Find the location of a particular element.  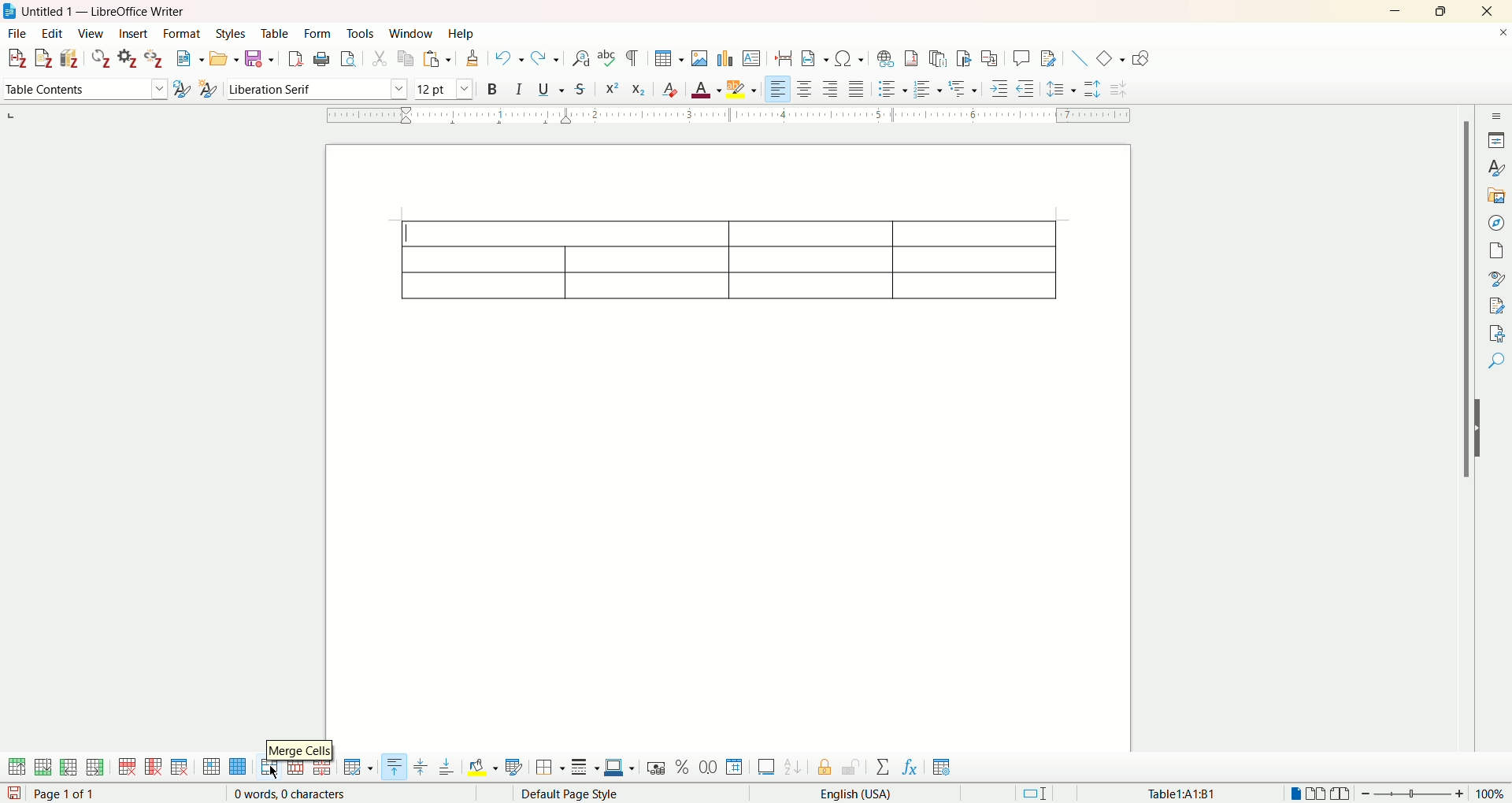

format as currency is located at coordinates (655, 770).